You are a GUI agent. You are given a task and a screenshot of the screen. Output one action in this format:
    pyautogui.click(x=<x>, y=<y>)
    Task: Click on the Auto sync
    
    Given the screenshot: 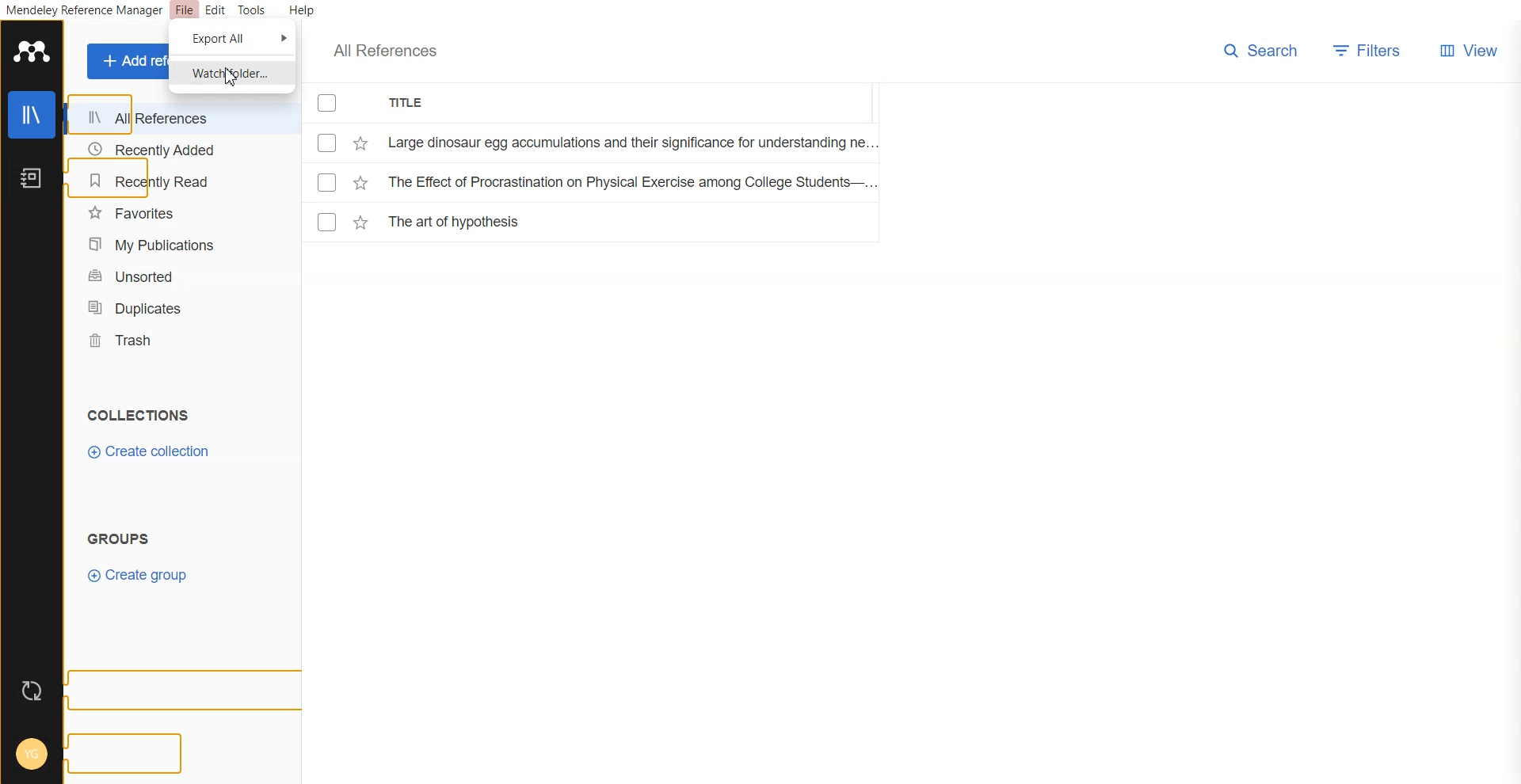 What is the action you would take?
    pyautogui.click(x=32, y=691)
    